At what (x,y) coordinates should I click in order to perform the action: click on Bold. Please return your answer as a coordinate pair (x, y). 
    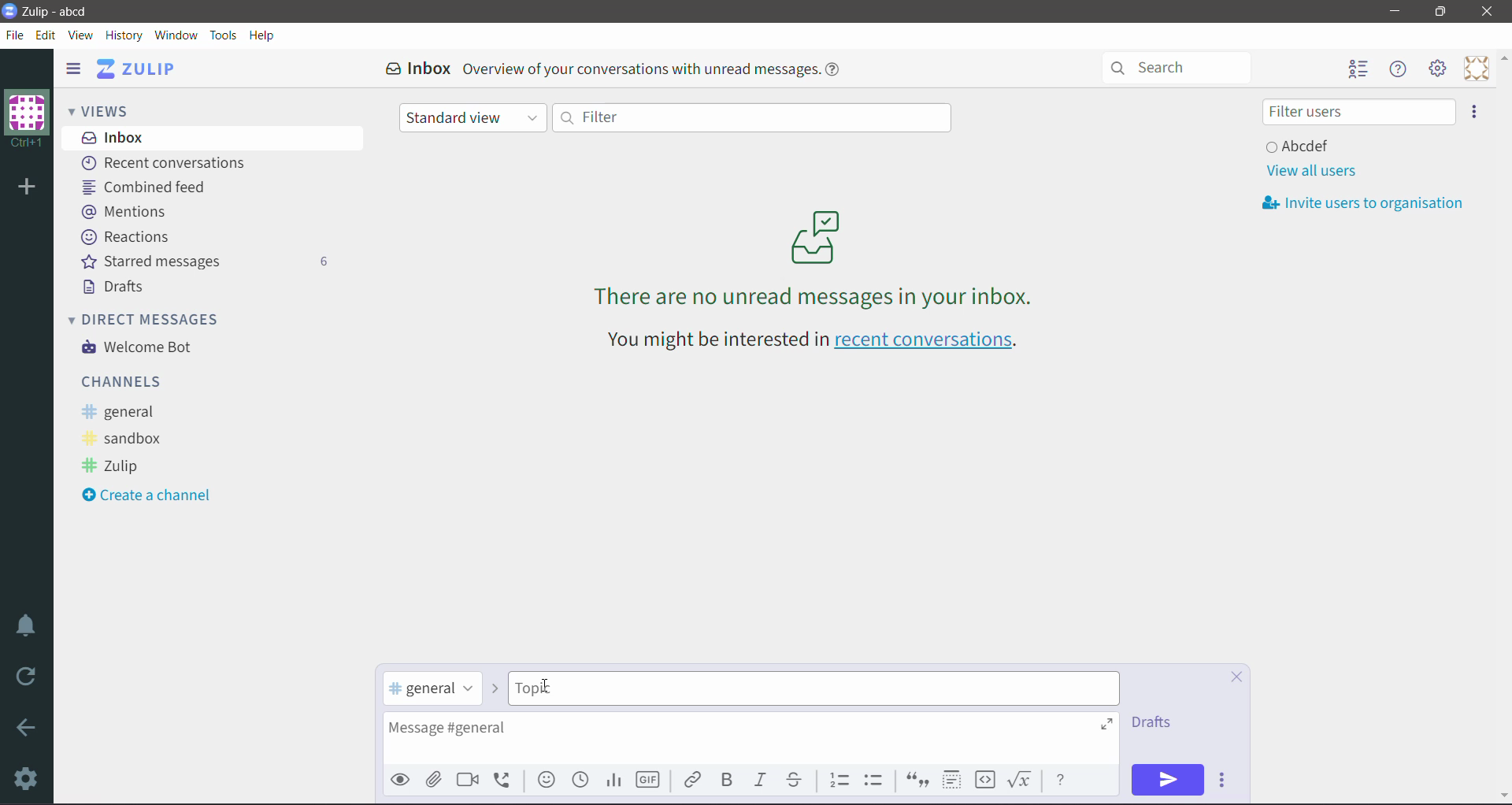
    Looking at the image, I should click on (726, 780).